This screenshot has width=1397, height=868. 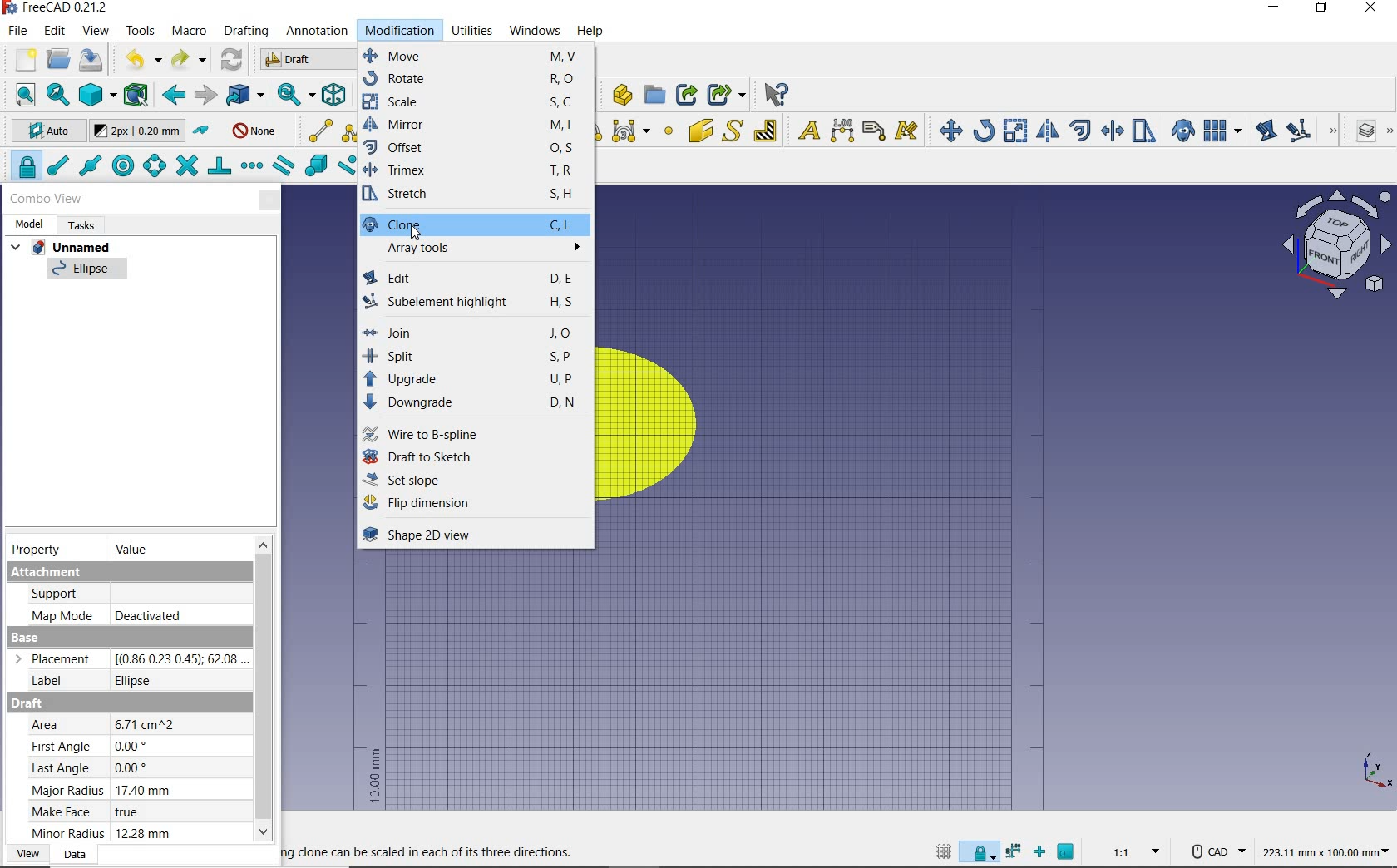 What do you see at coordinates (92, 62) in the screenshot?
I see `save` at bounding box center [92, 62].